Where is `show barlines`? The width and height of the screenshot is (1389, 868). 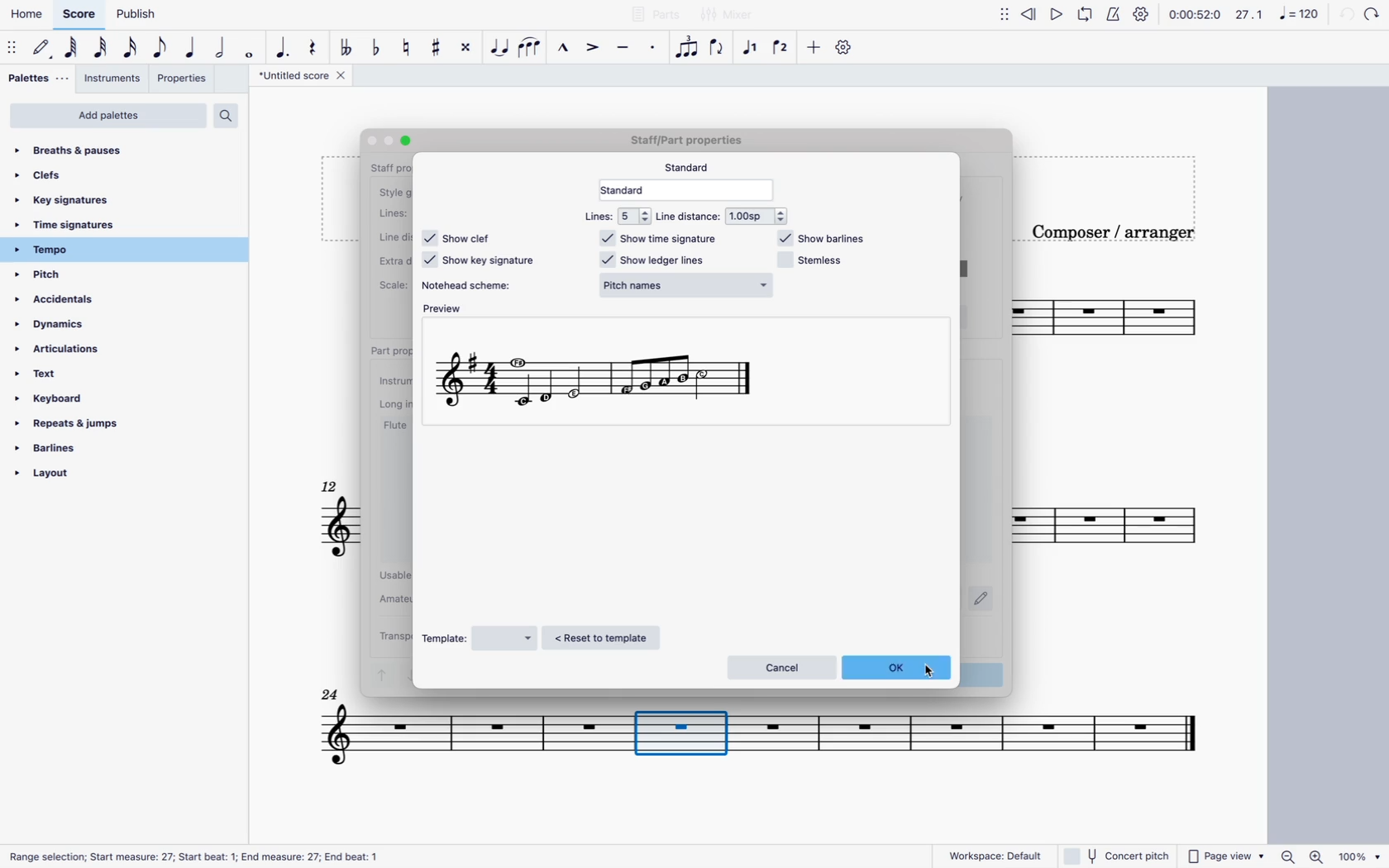 show barlines is located at coordinates (823, 239).